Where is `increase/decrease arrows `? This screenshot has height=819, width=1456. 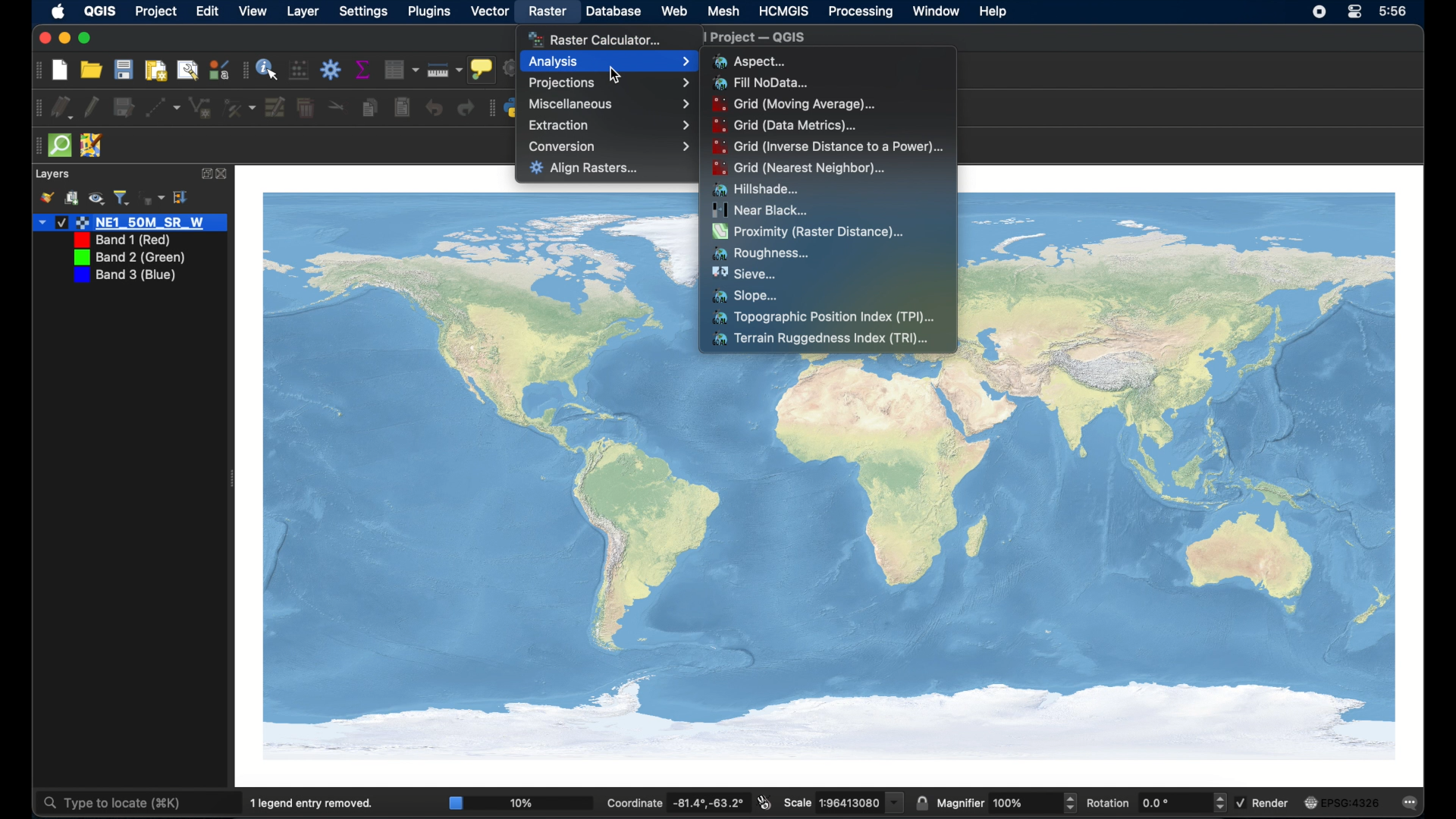 increase/decrease arrows  is located at coordinates (1220, 802).